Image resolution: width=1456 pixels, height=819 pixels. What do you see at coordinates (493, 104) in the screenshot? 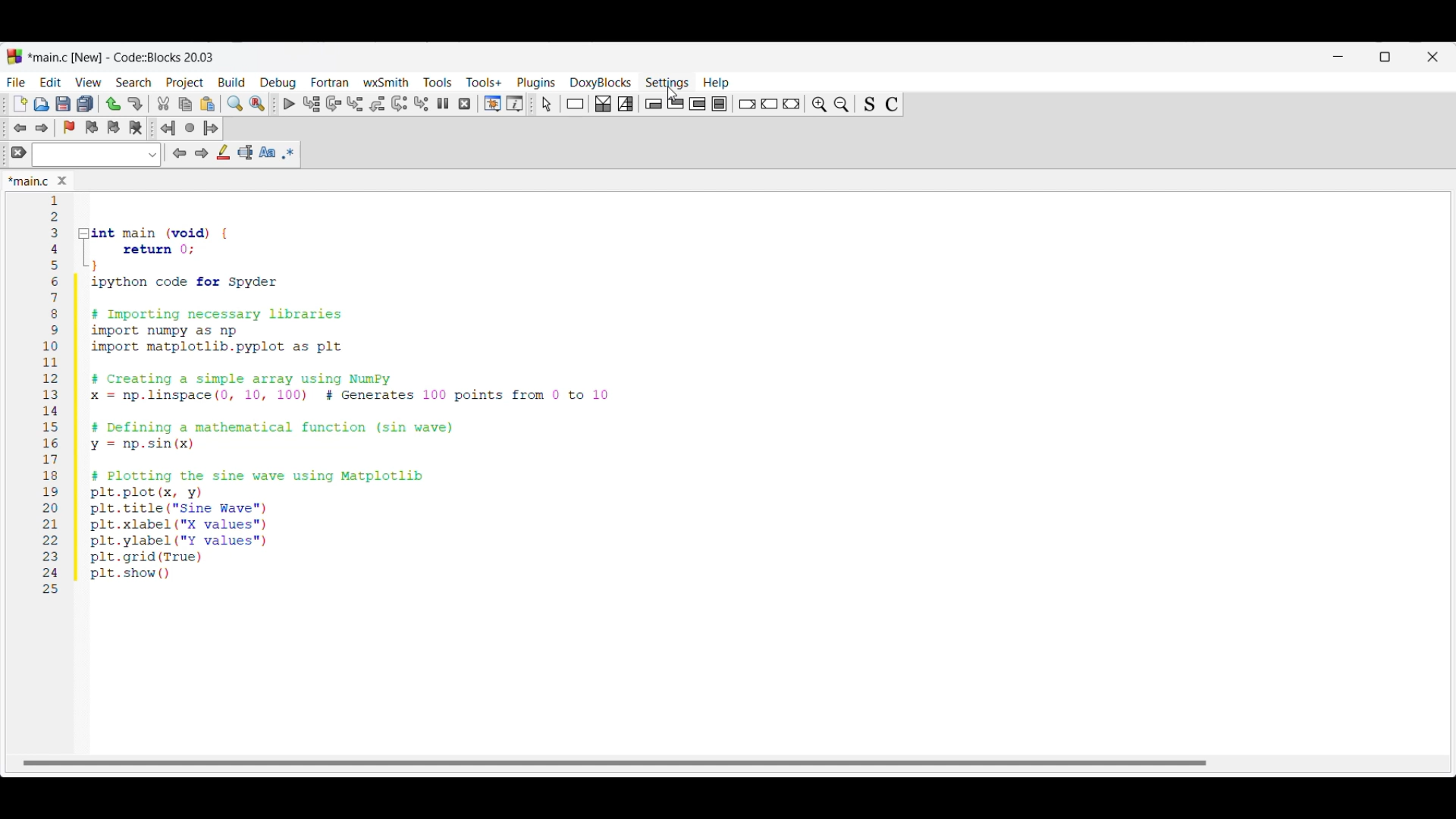
I see `Debugging windows` at bounding box center [493, 104].